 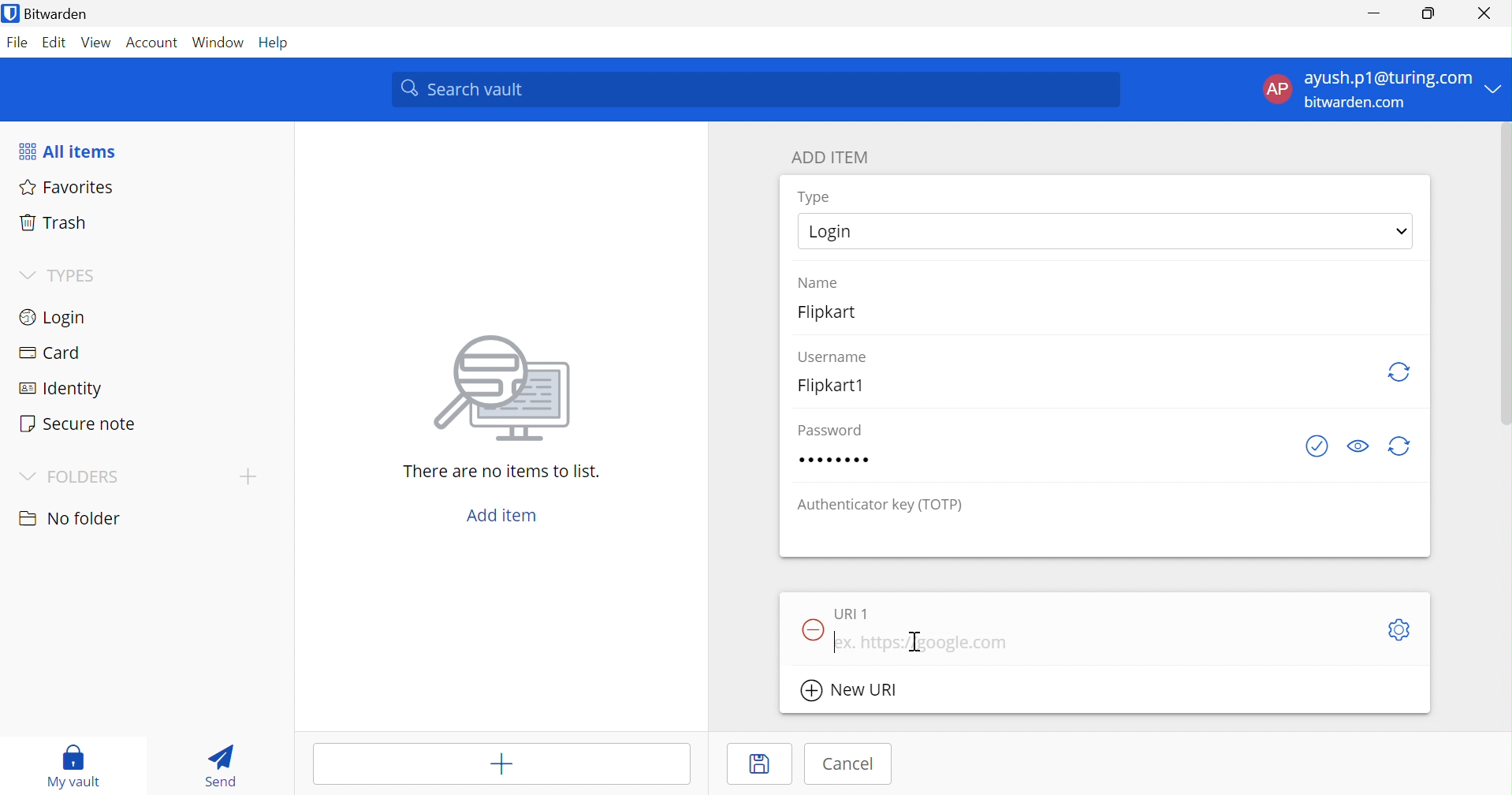 I want to click on New URL, so click(x=859, y=692).